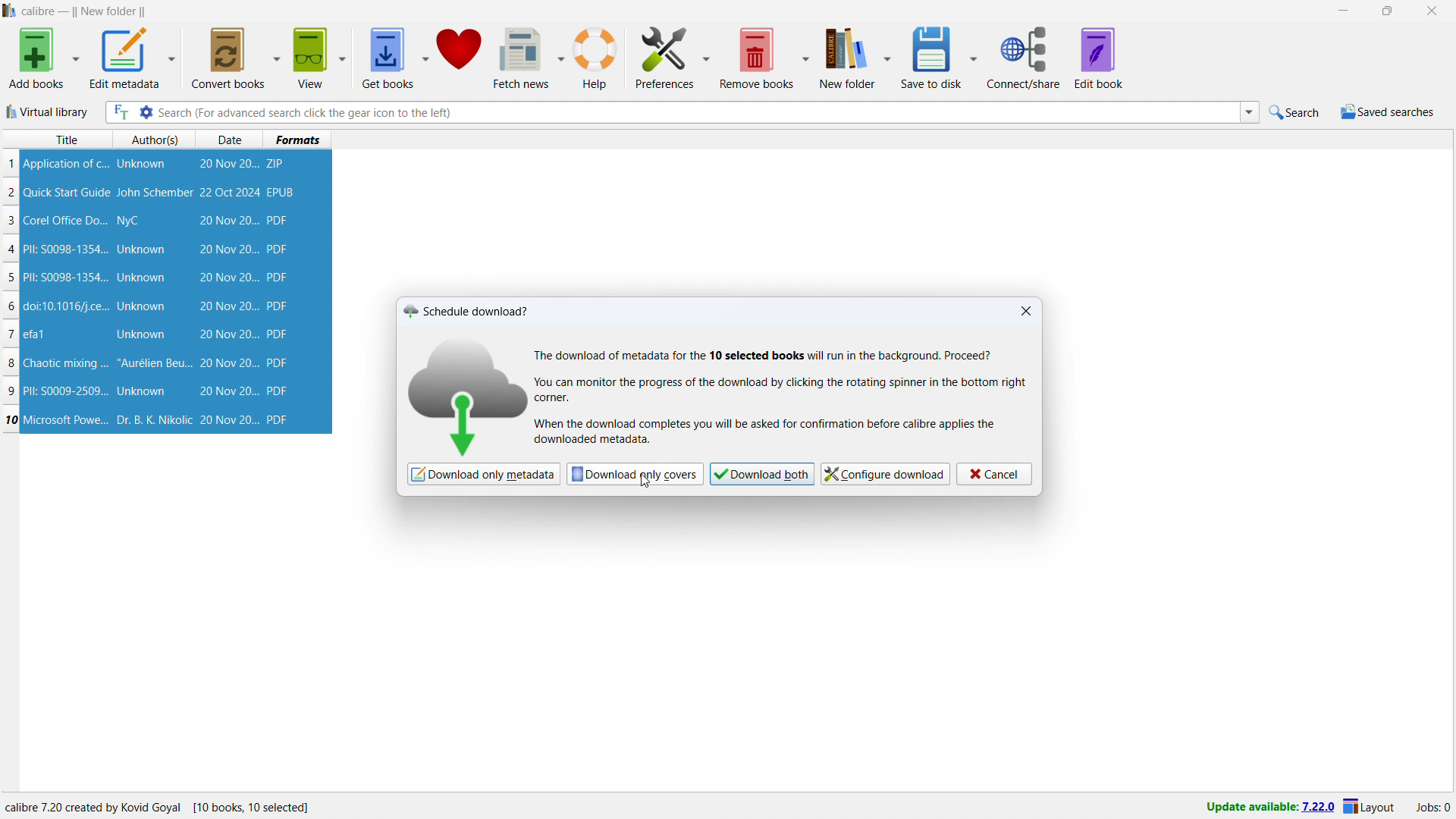  I want to click on remove books, so click(757, 58).